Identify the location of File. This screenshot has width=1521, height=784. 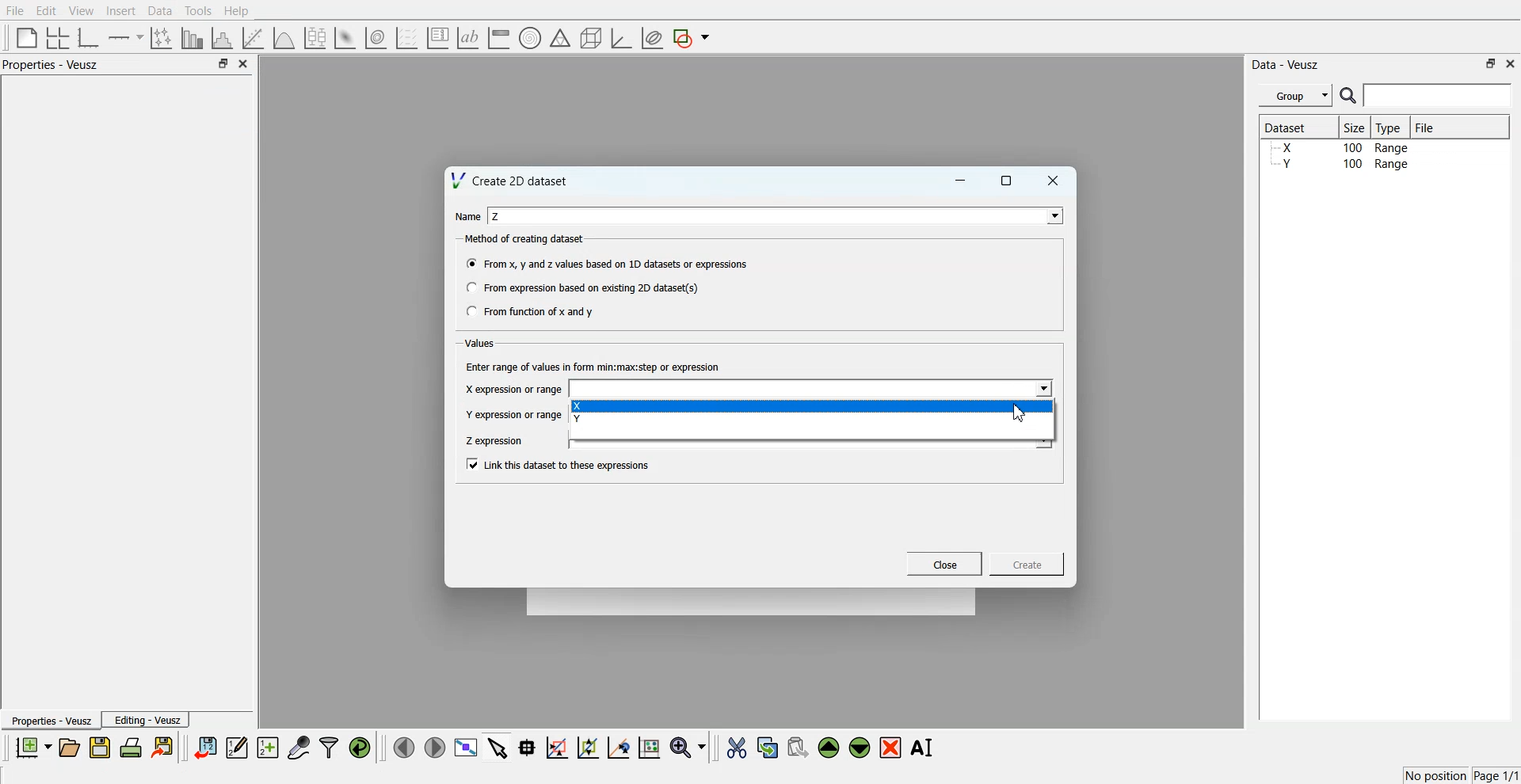
(1427, 127).